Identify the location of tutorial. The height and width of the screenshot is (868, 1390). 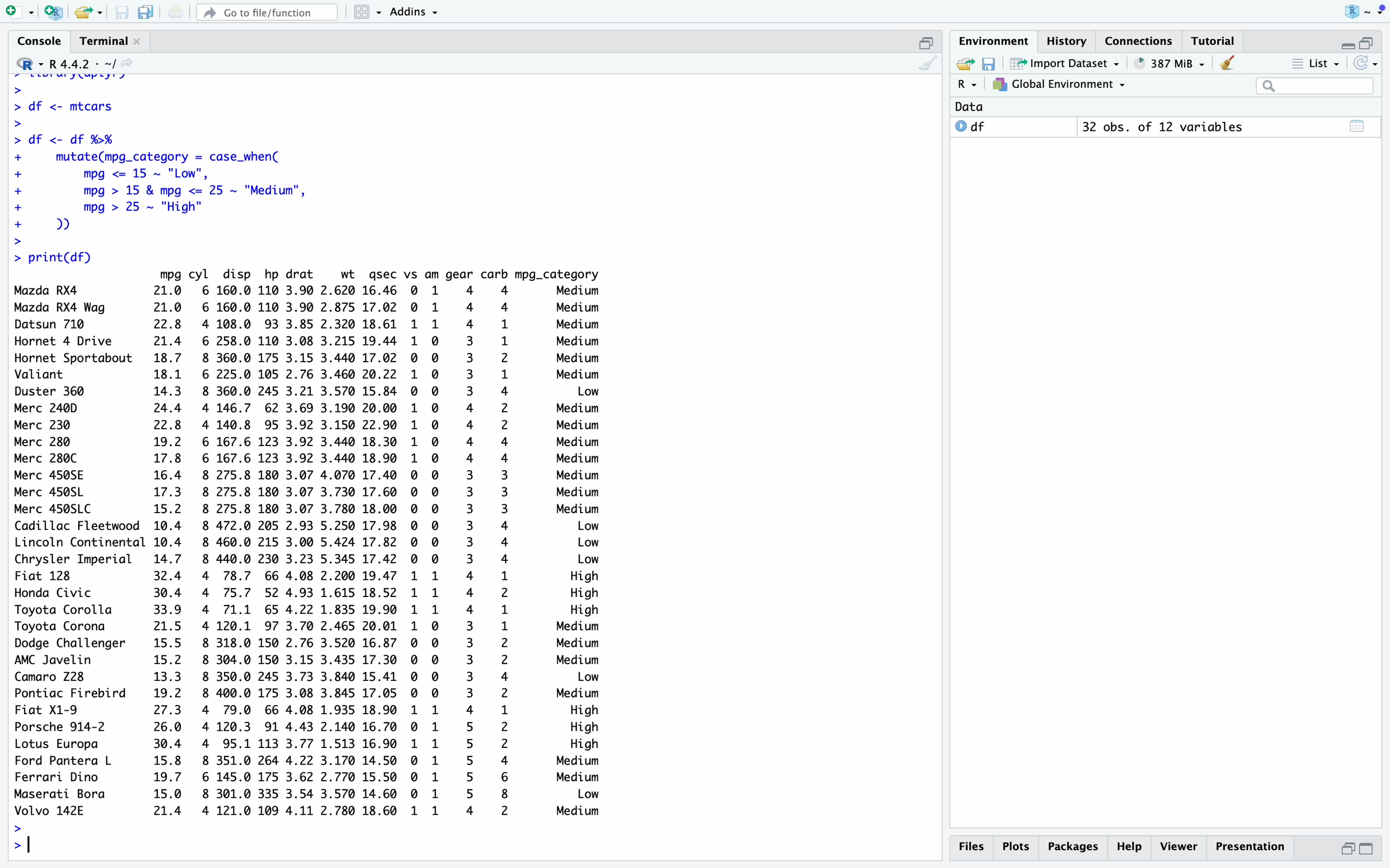
(1215, 41).